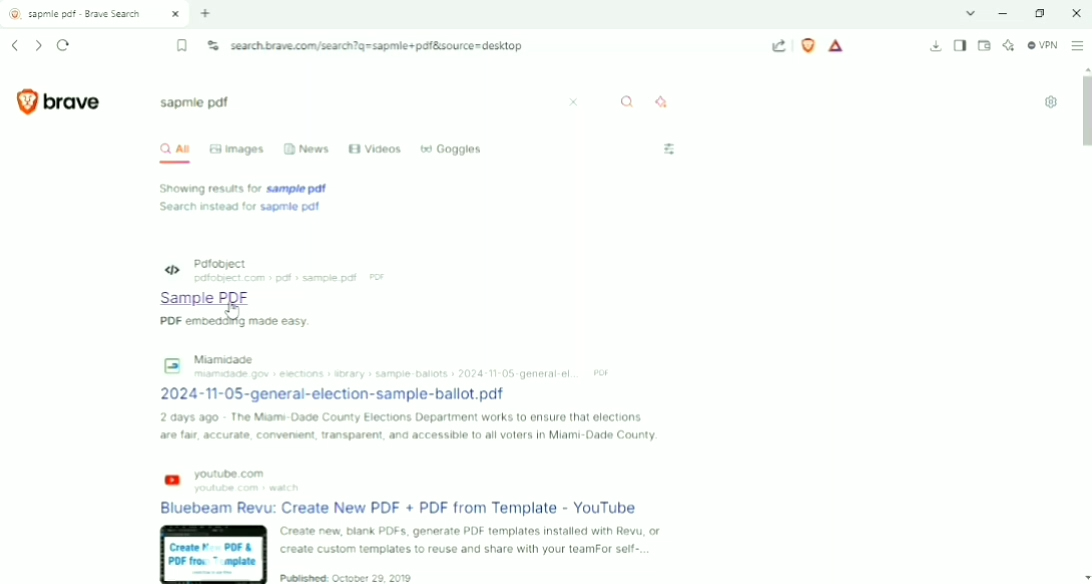 Image resolution: width=1092 pixels, height=584 pixels. What do you see at coordinates (984, 46) in the screenshot?
I see `Wallet` at bounding box center [984, 46].